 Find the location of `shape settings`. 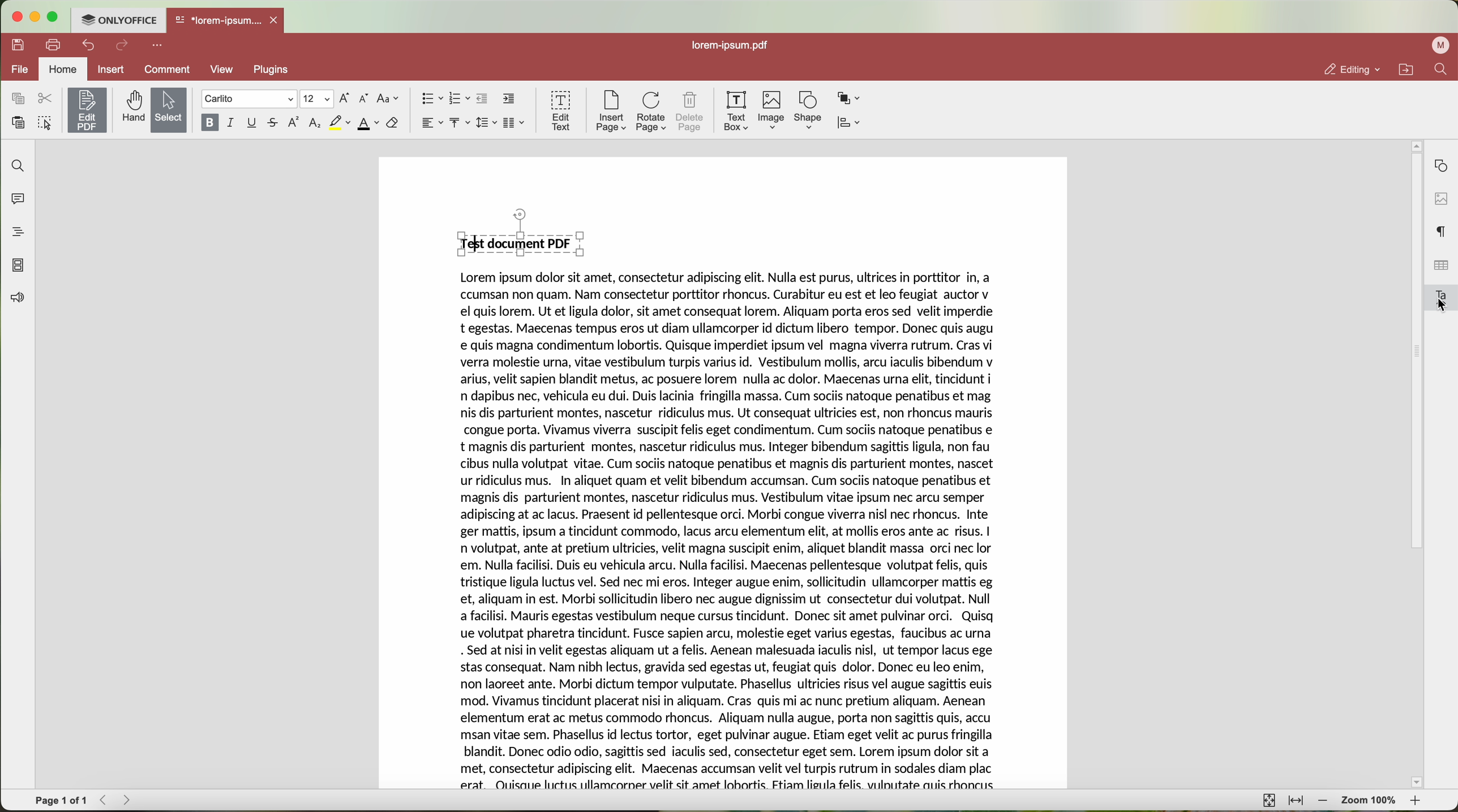

shape settings is located at coordinates (1440, 163).